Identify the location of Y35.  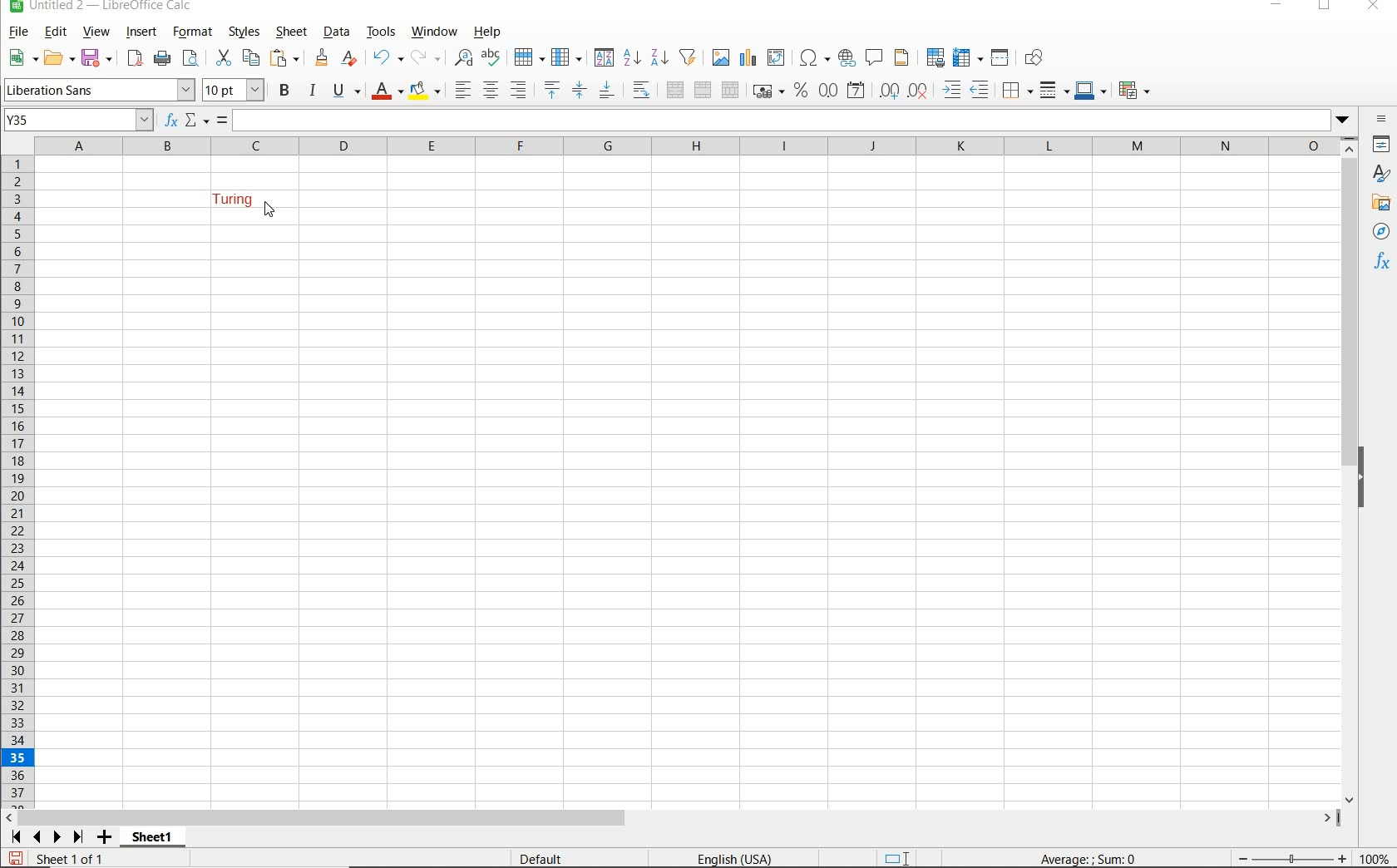
(78, 119).